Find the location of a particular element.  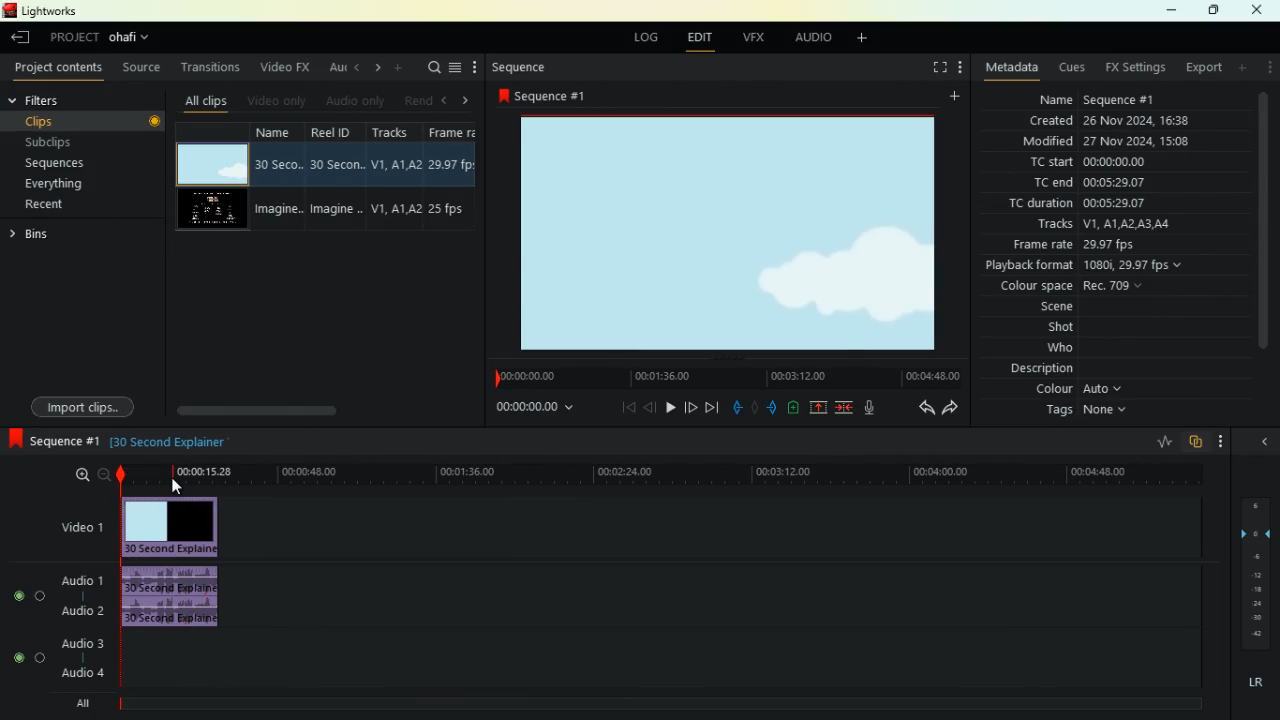

menu is located at coordinates (455, 70).